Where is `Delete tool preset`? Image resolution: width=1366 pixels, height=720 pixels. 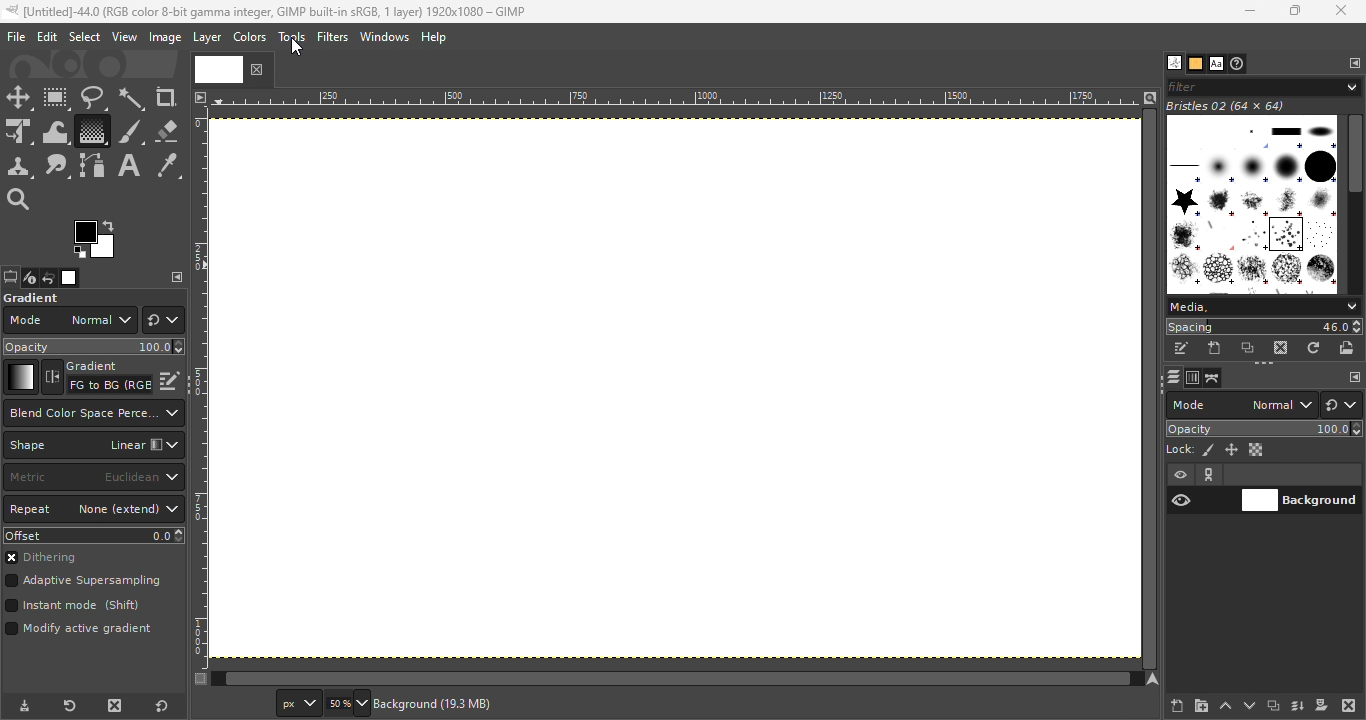 Delete tool preset is located at coordinates (110, 706).